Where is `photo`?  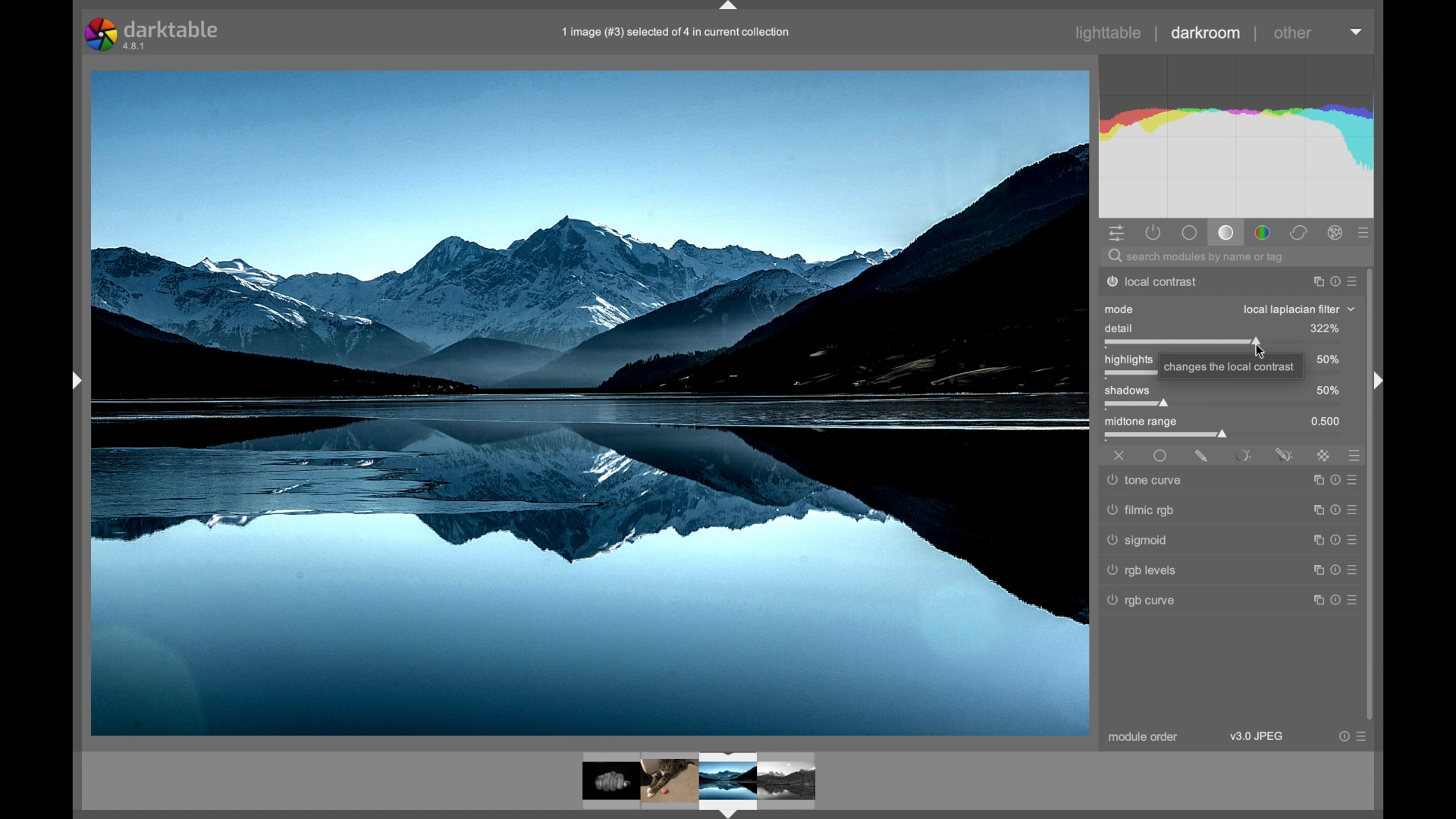
photo is located at coordinates (588, 403).